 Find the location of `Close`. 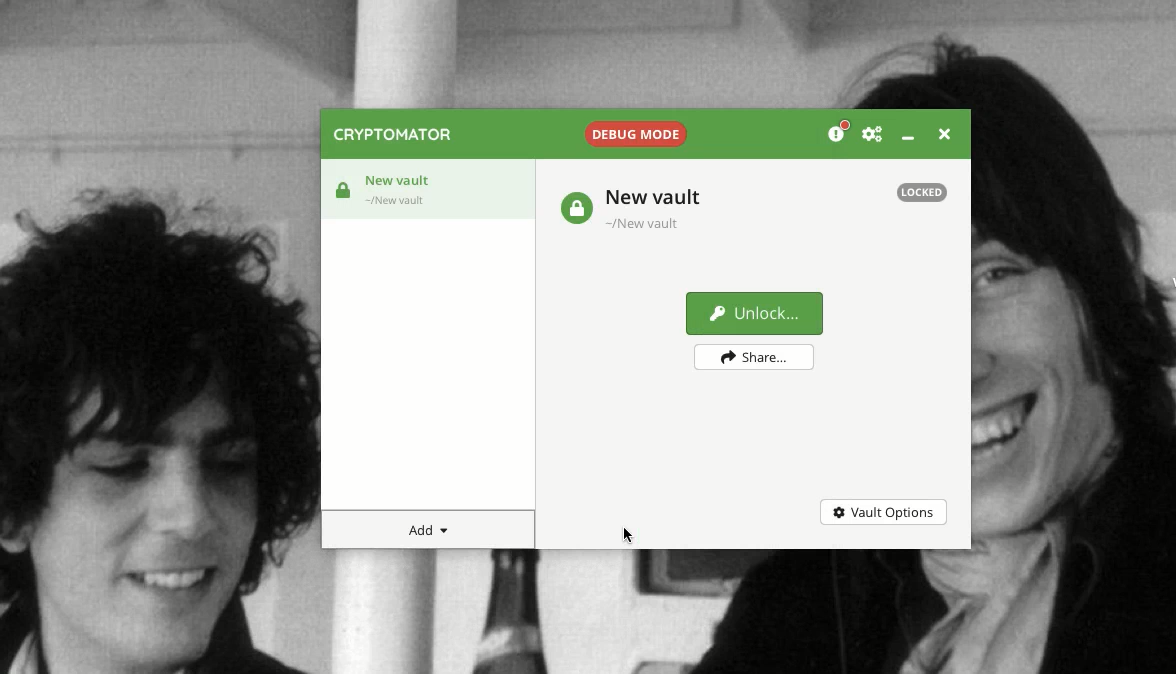

Close is located at coordinates (944, 136).